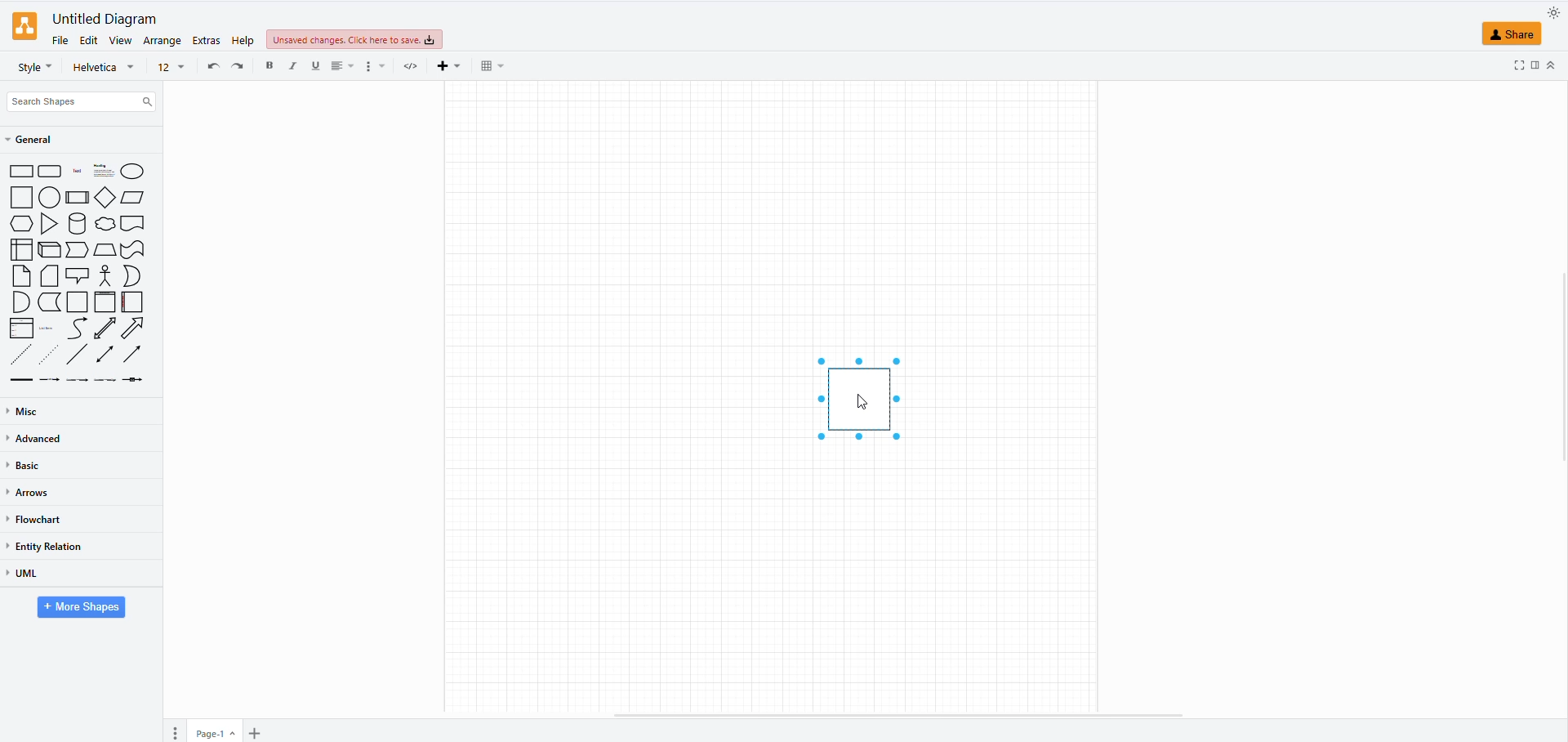 The image size is (1568, 742). What do you see at coordinates (78, 608) in the screenshot?
I see `more shapes` at bounding box center [78, 608].